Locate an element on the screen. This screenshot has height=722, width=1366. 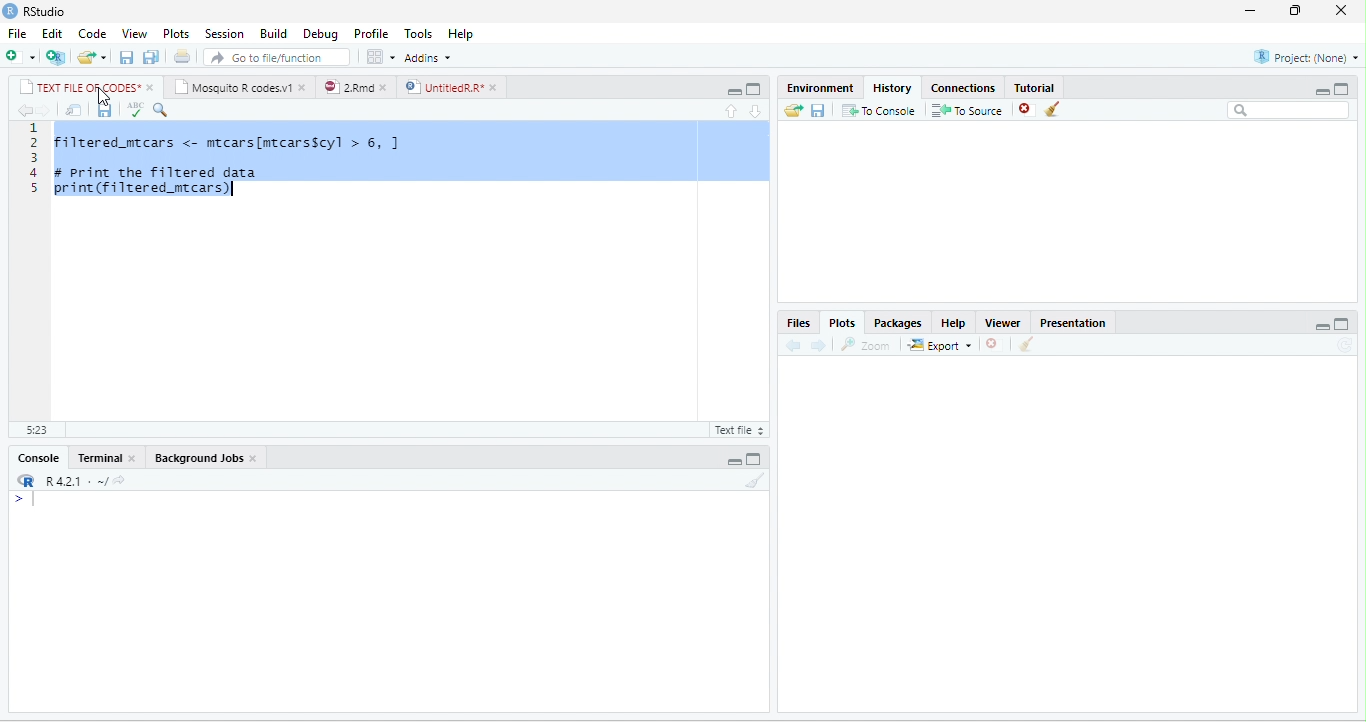
forward is located at coordinates (818, 346).